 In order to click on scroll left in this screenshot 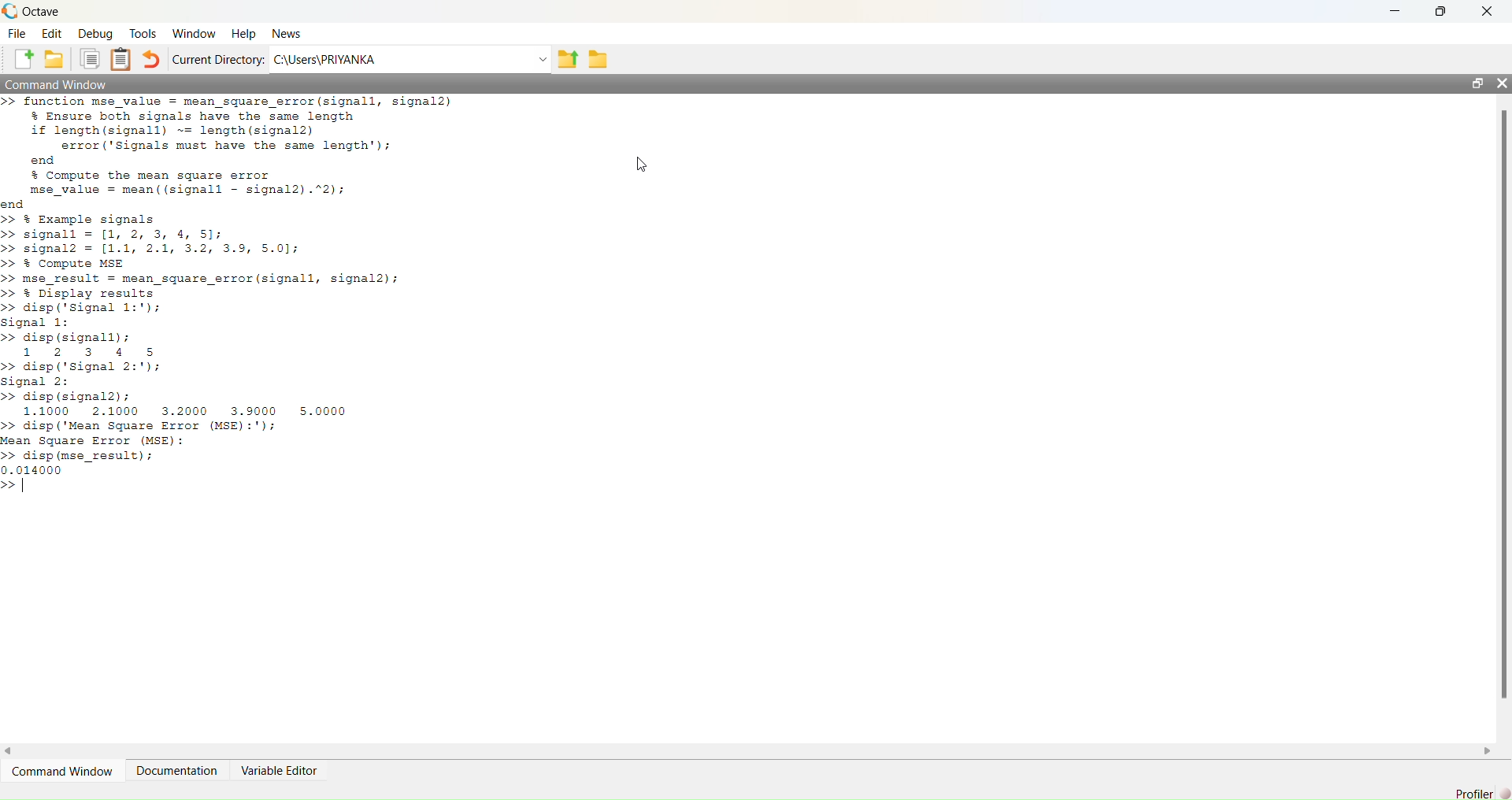, I will do `click(9, 750)`.